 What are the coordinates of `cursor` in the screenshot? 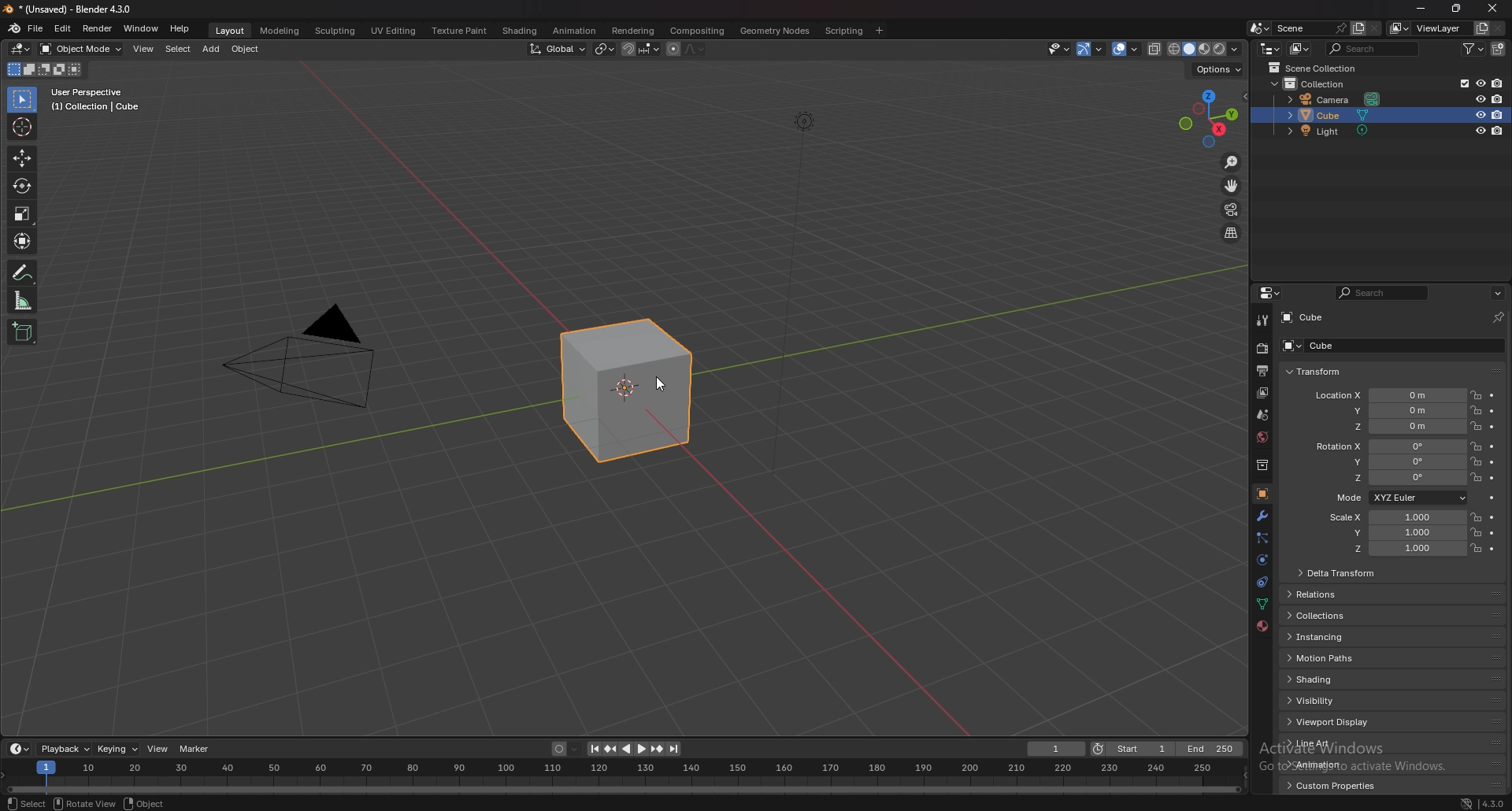 It's located at (660, 383).